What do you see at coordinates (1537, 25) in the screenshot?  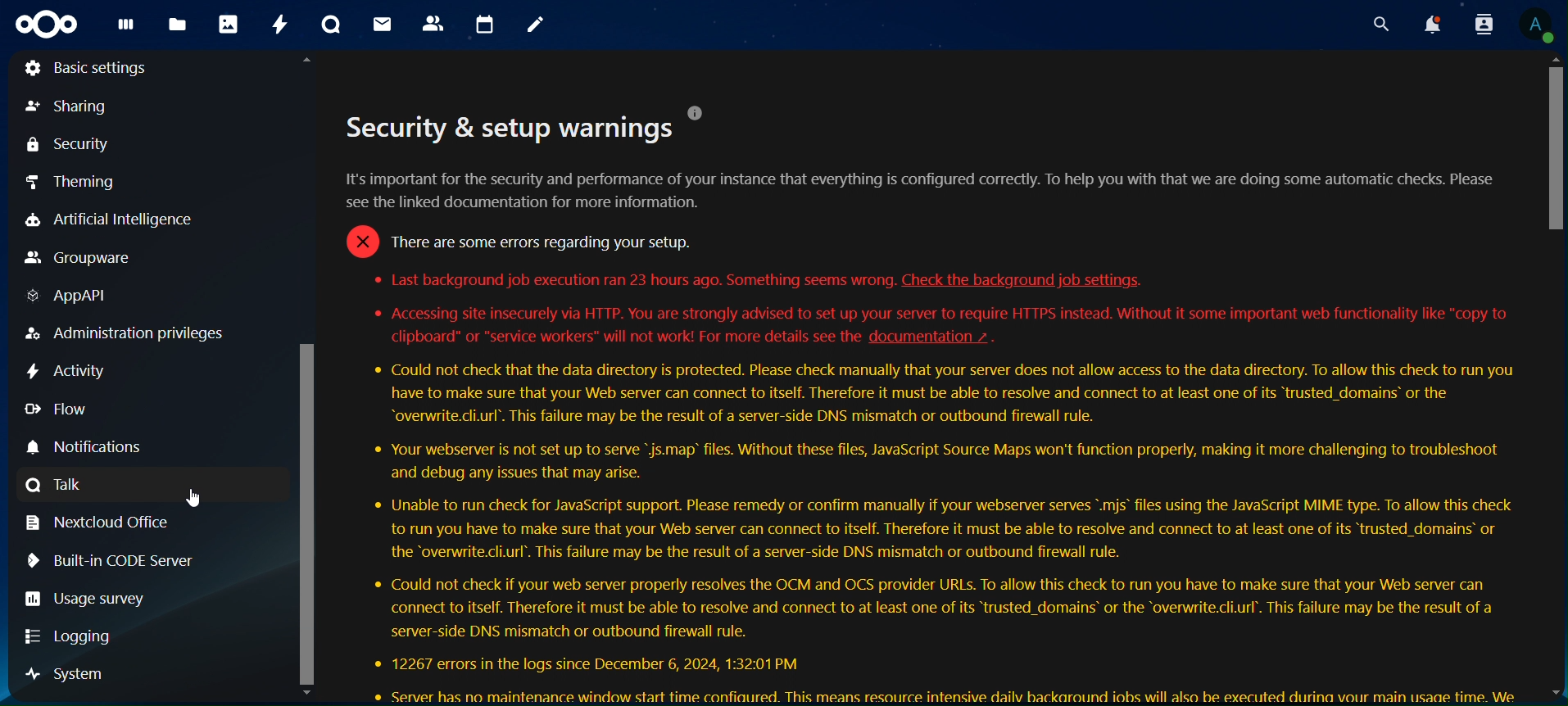 I see `View Profile` at bounding box center [1537, 25].